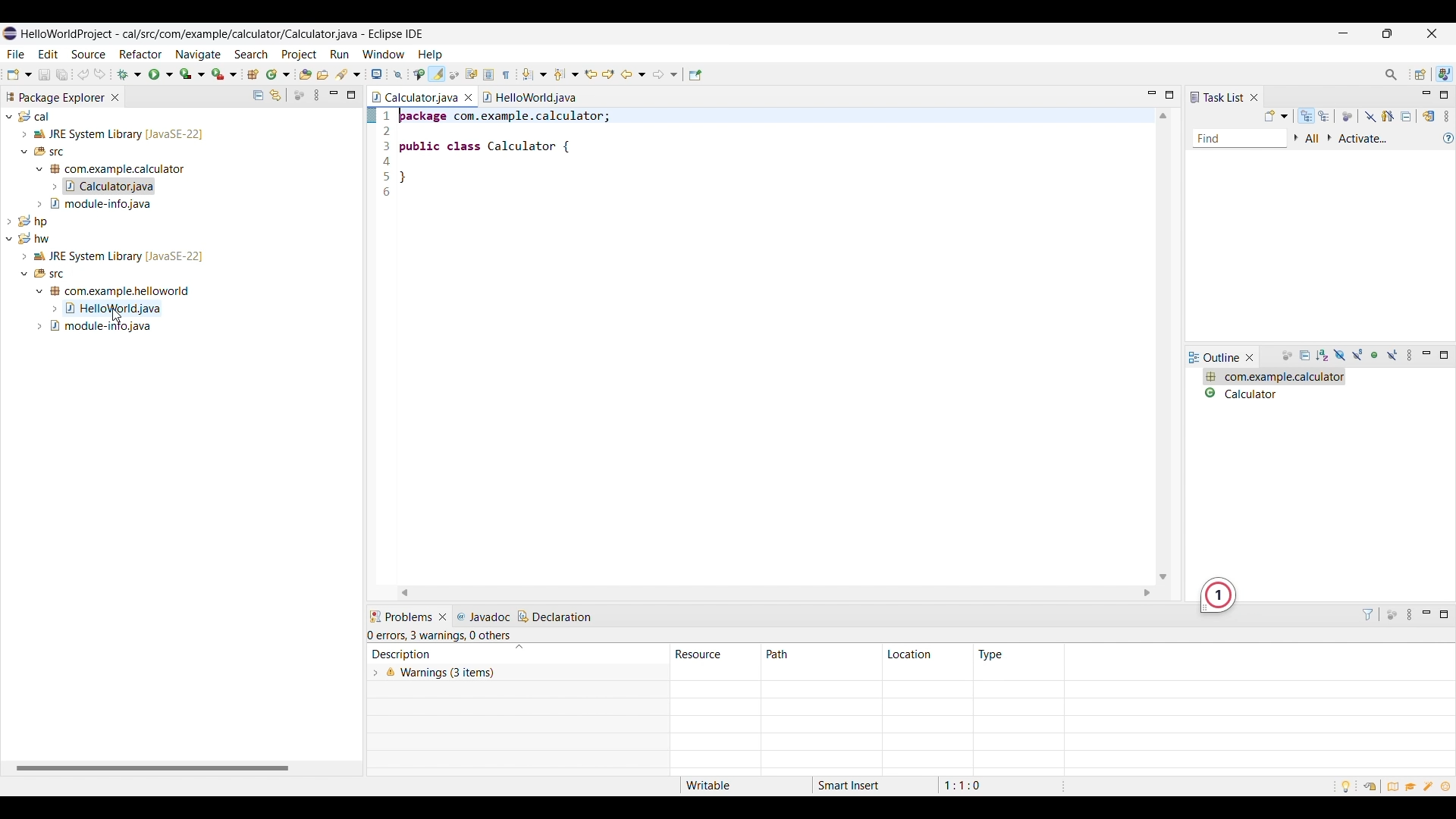 The height and width of the screenshot is (819, 1456). What do you see at coordinates (1444, 74) in the screenshot?
I see `Java, current selection` at bounding box center [1444, 74].